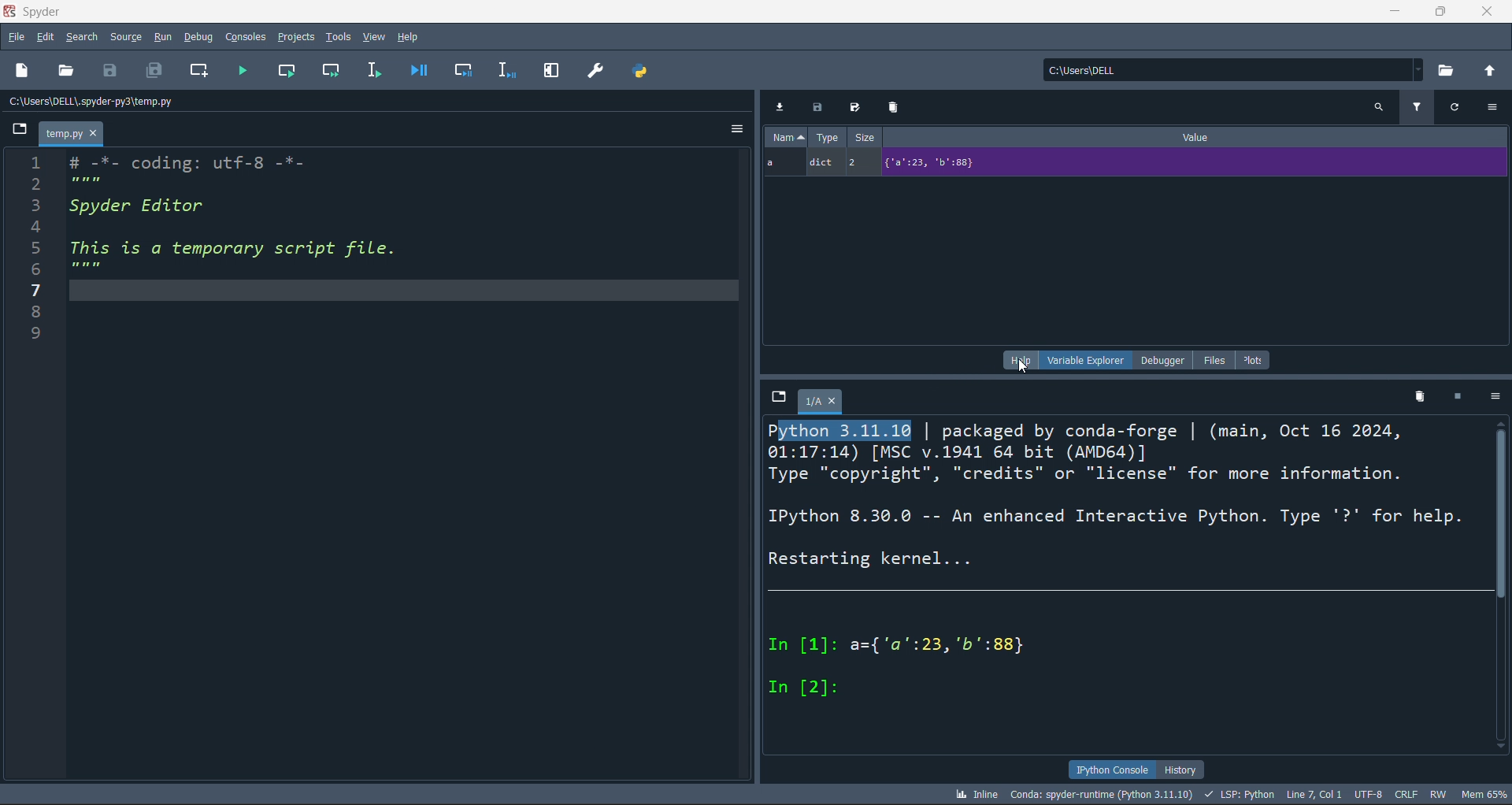 The image size is (1512, 805). Describe the element at coordinates (1380, 108) in the screenshot. I see `search` at that location.